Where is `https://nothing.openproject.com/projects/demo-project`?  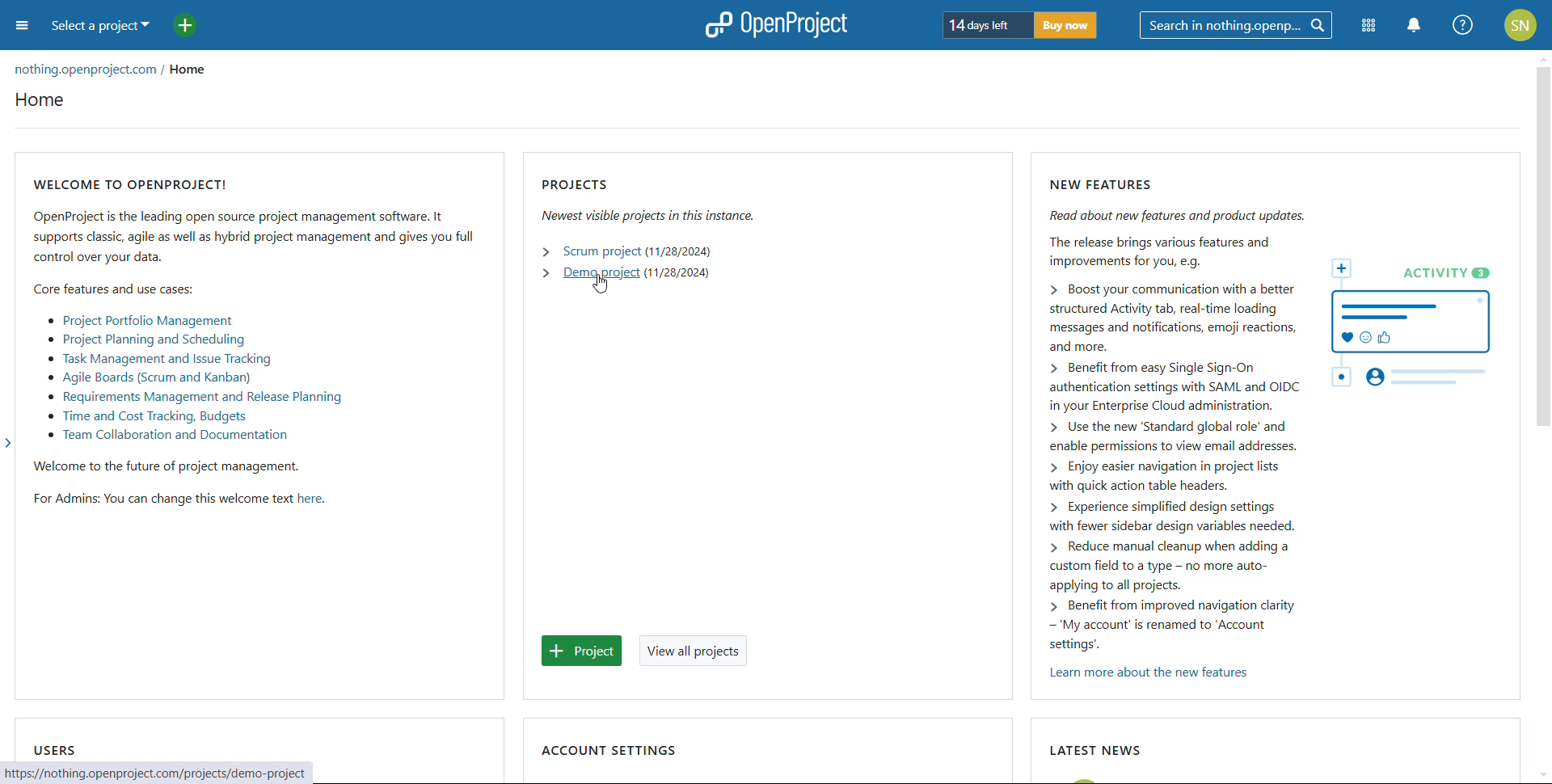 https://nothing.openproject.com/projects/demo-project is located at coordinates (171, 771).